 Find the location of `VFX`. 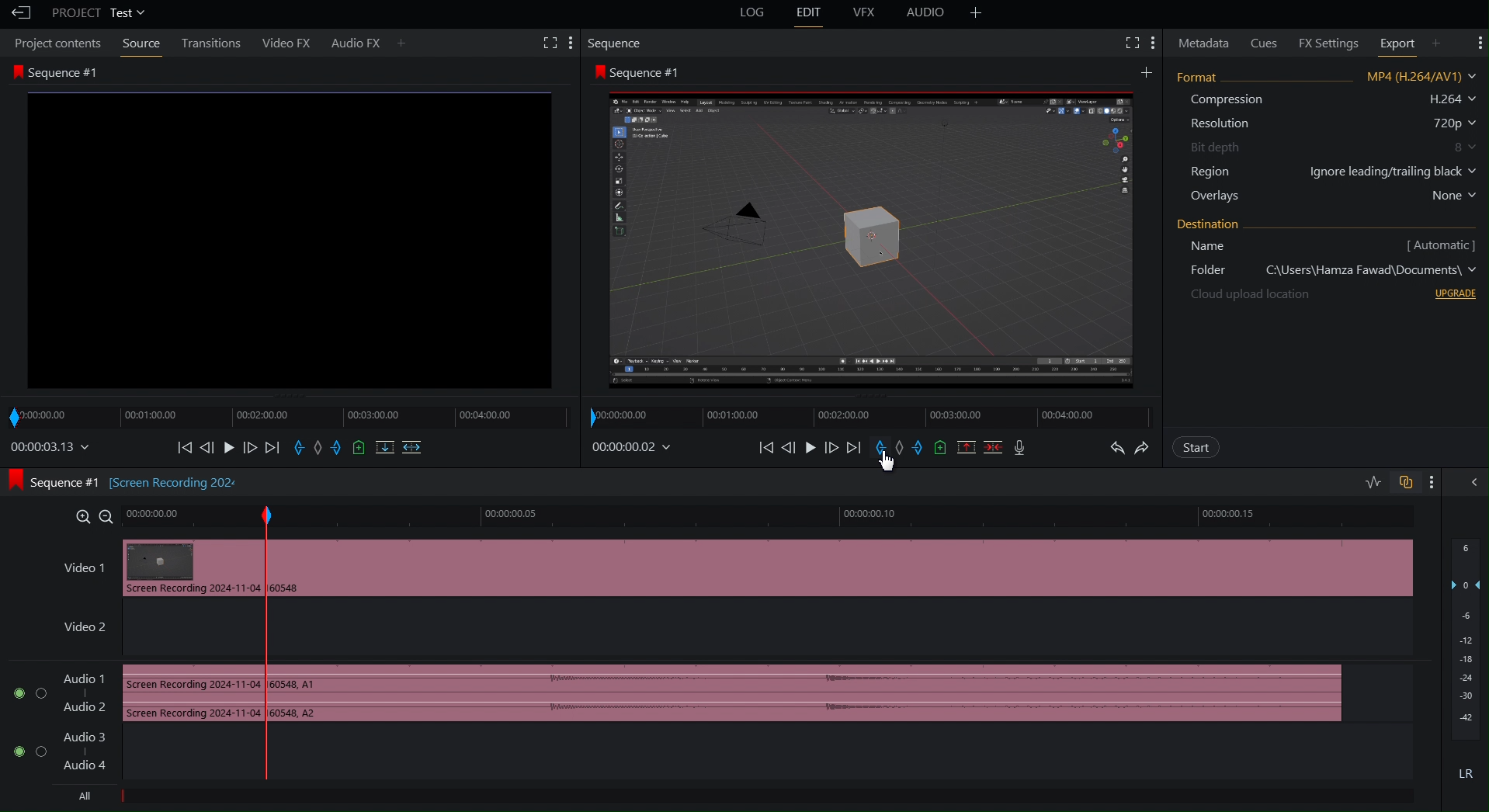

VFX is located at coordinates (868, 15).